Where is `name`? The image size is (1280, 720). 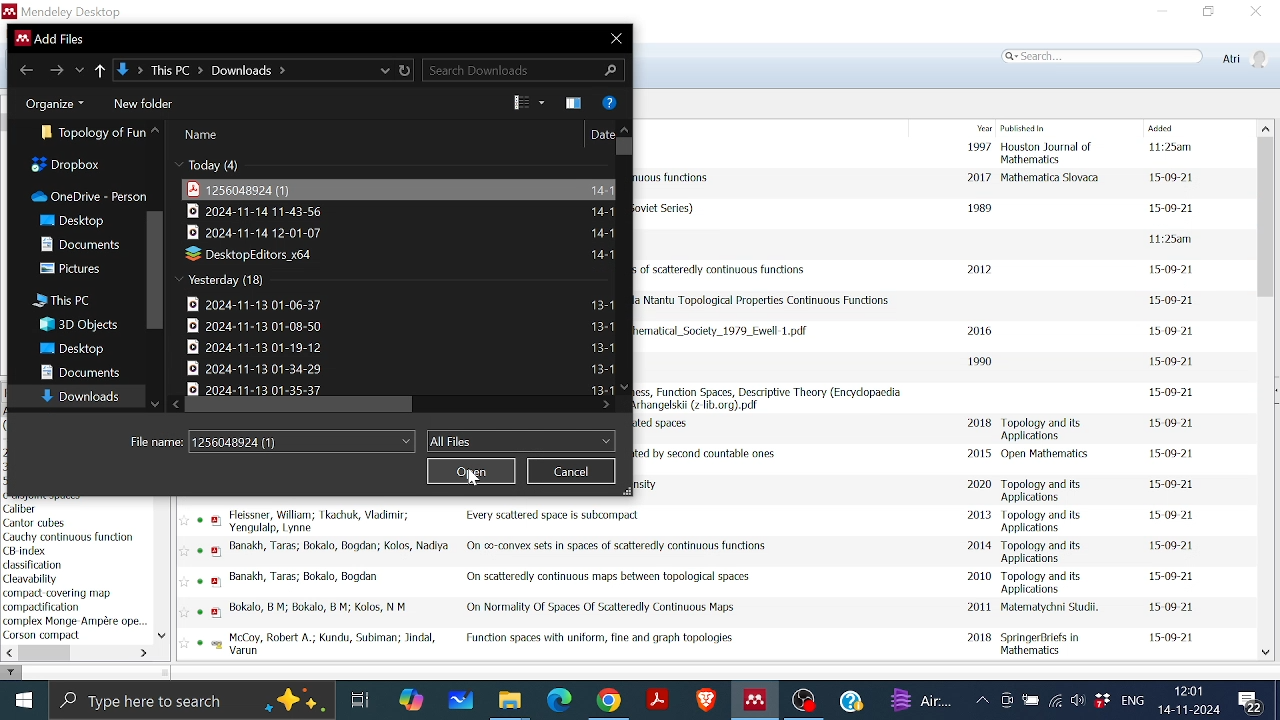
name is located at coordinates (212, 135).